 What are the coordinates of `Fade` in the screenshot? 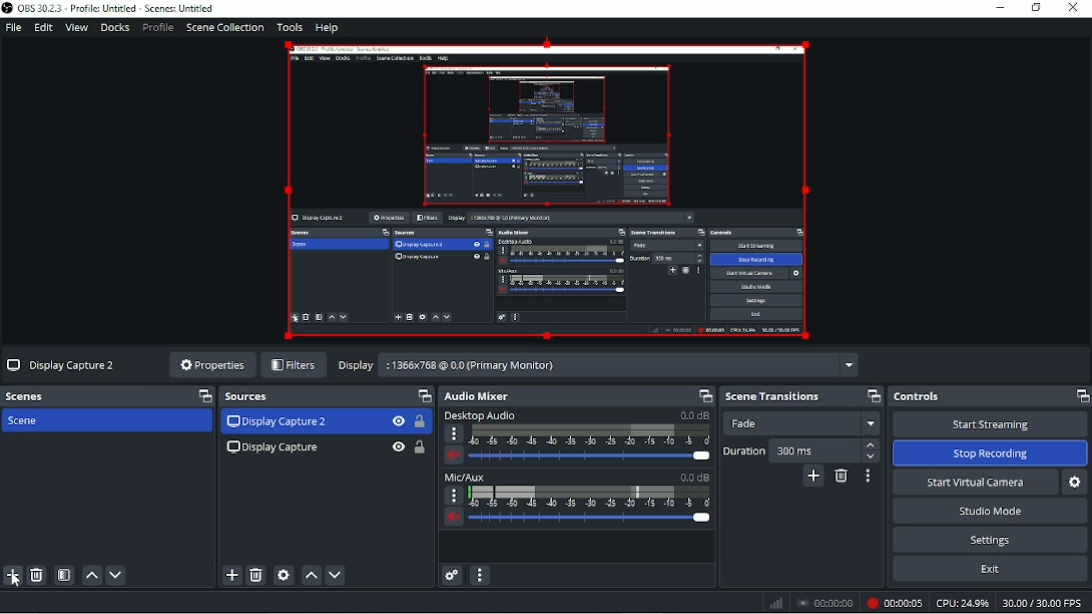 It's located at (801, 424).